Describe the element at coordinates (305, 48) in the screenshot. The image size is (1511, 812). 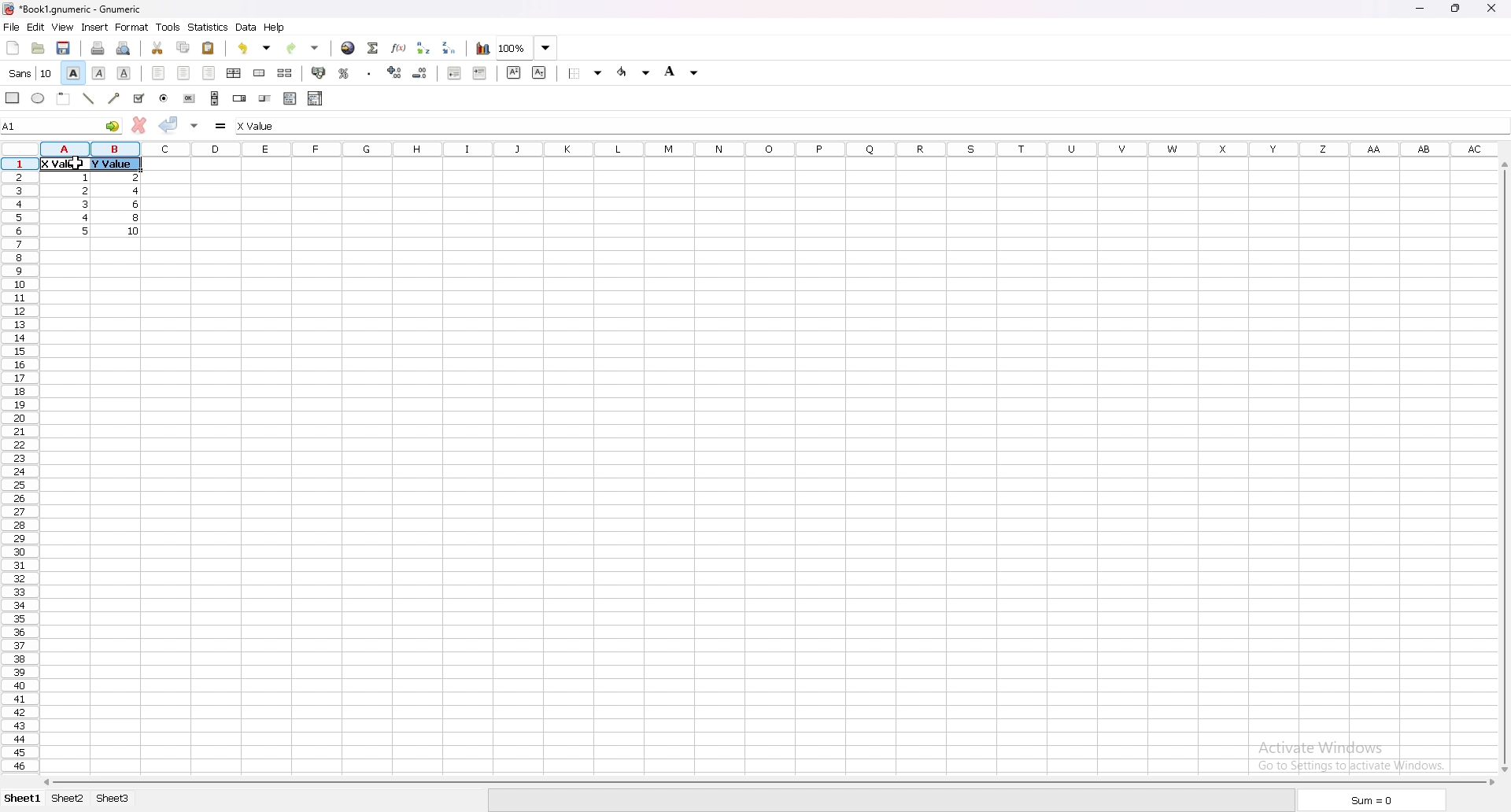
I see `redo` at that location.